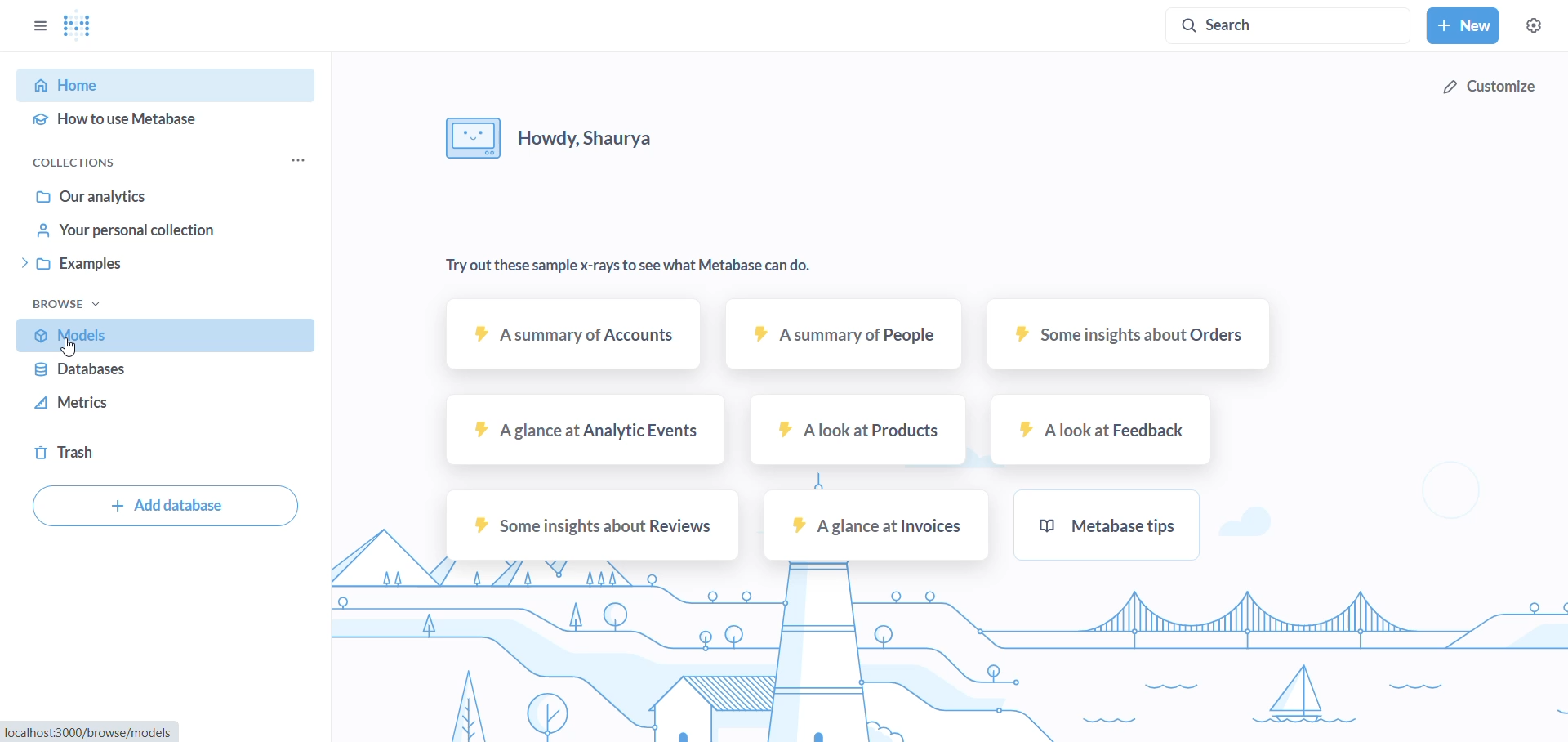  I want to click on collections, so click(77, 163).